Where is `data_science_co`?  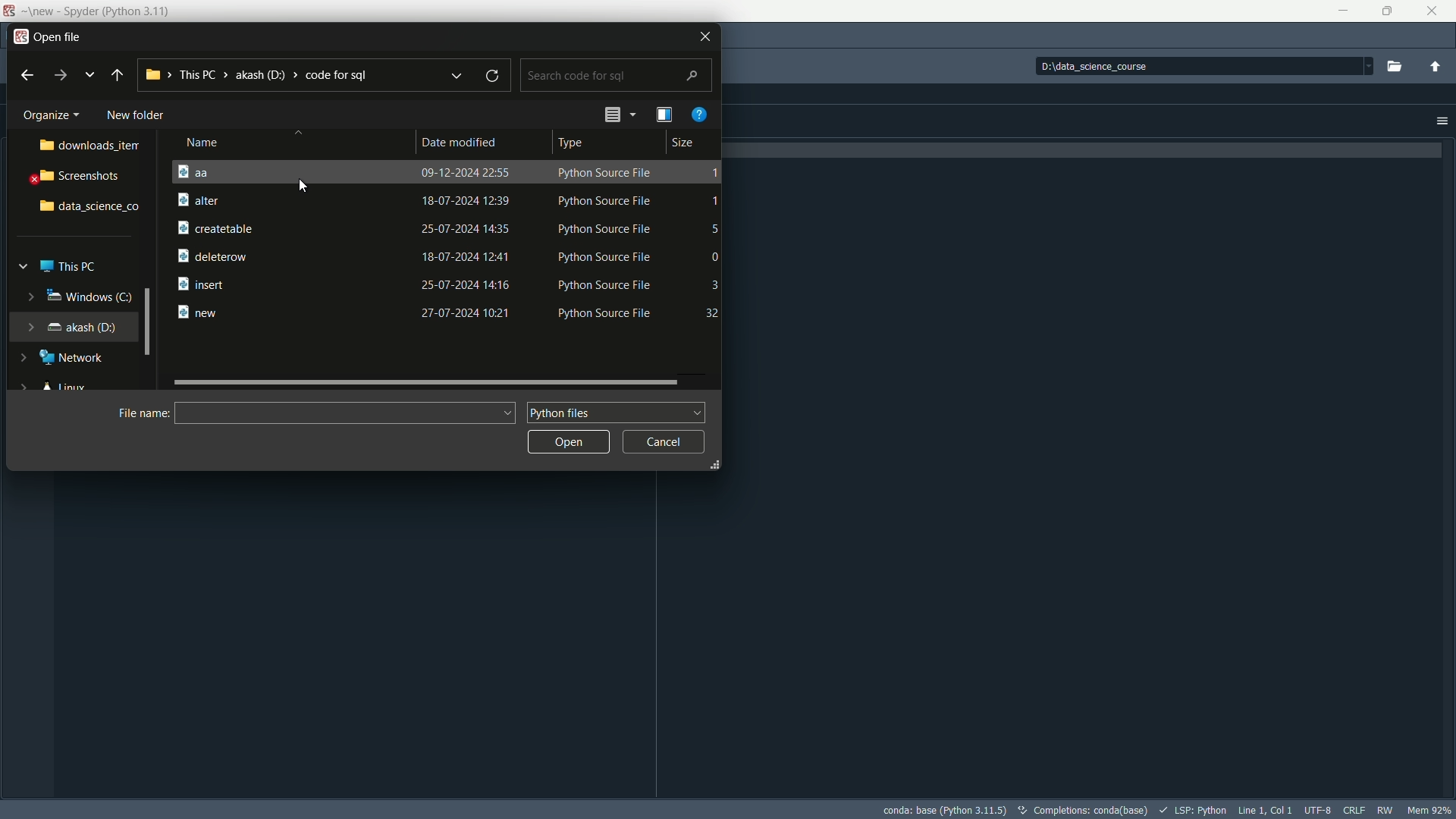
data_science_co is located at coordinates (89, 209).